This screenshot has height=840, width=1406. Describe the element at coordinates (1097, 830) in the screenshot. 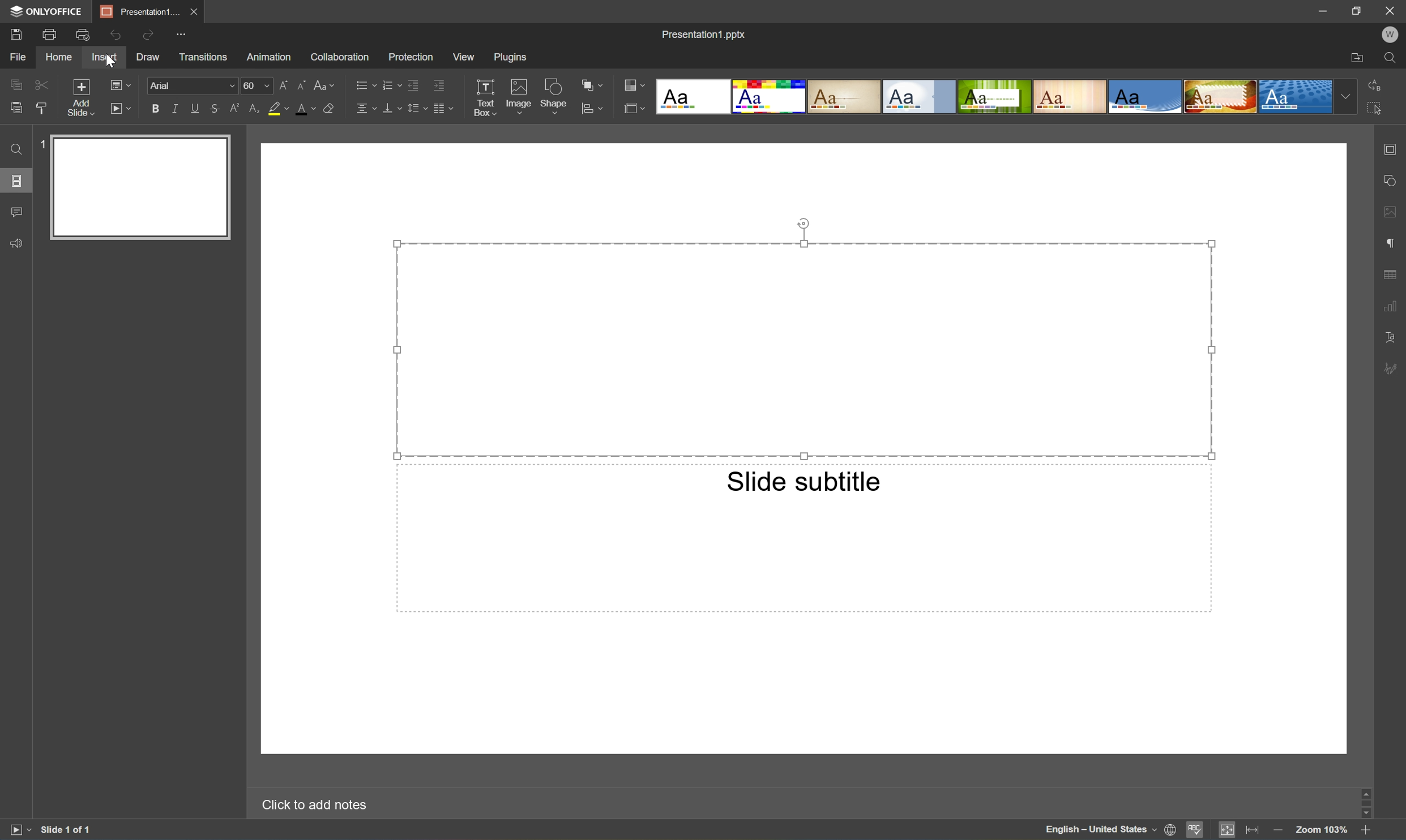

I see `English - United States` at that location.